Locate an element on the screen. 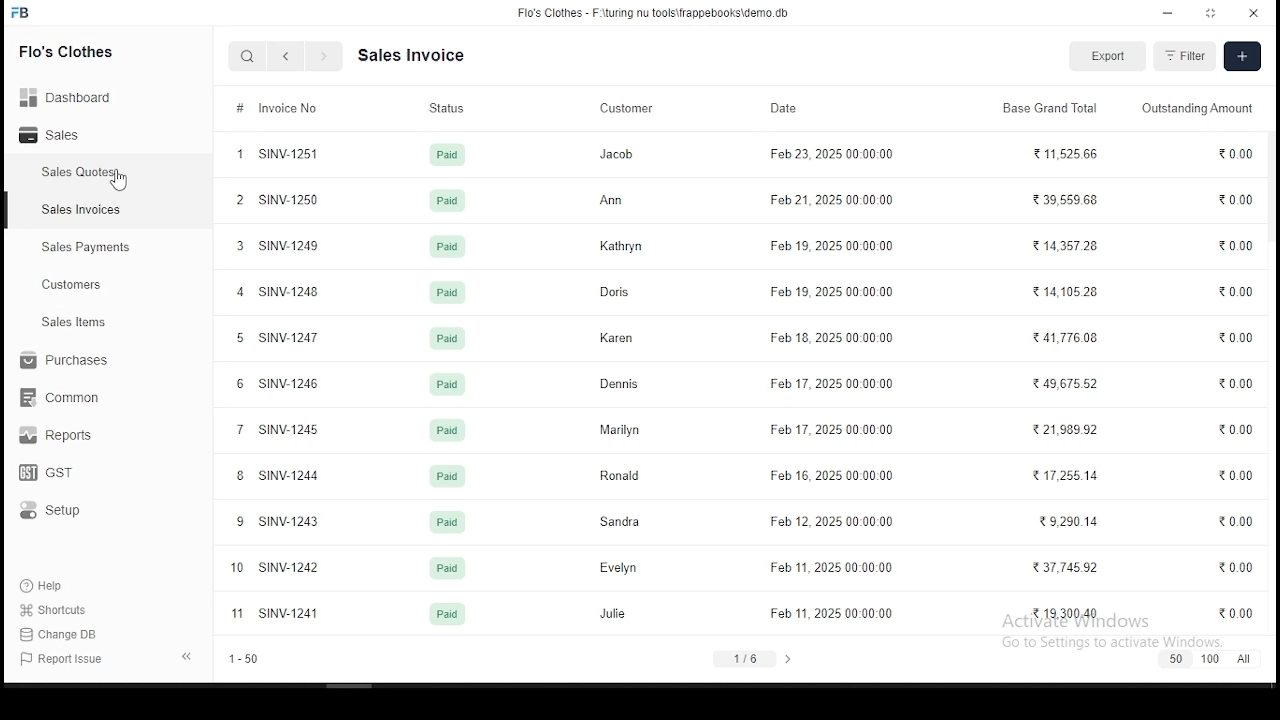 The height and width of the screenshot is (720, 1280). 2 SINV-1250 is located at coordinates (279, 196).